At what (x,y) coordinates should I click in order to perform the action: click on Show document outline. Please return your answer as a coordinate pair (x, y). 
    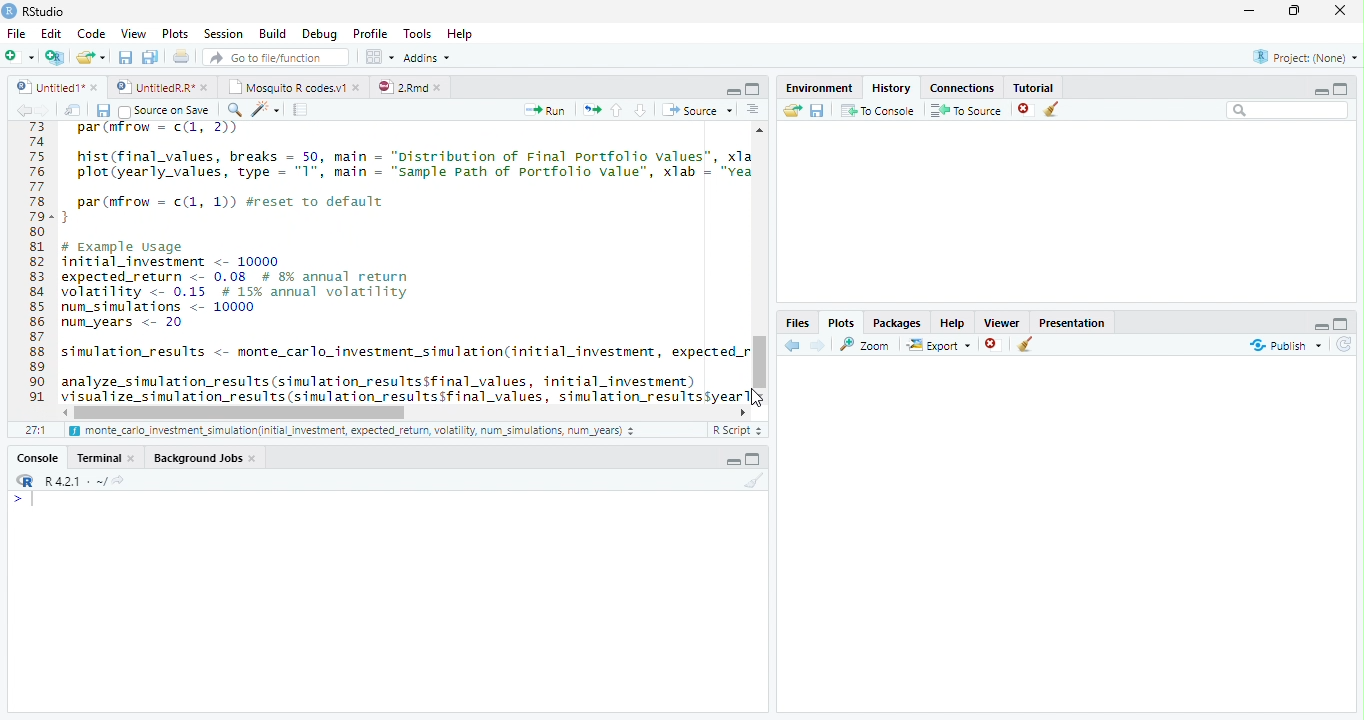
    Looking at the image, I should click on (753, 111).